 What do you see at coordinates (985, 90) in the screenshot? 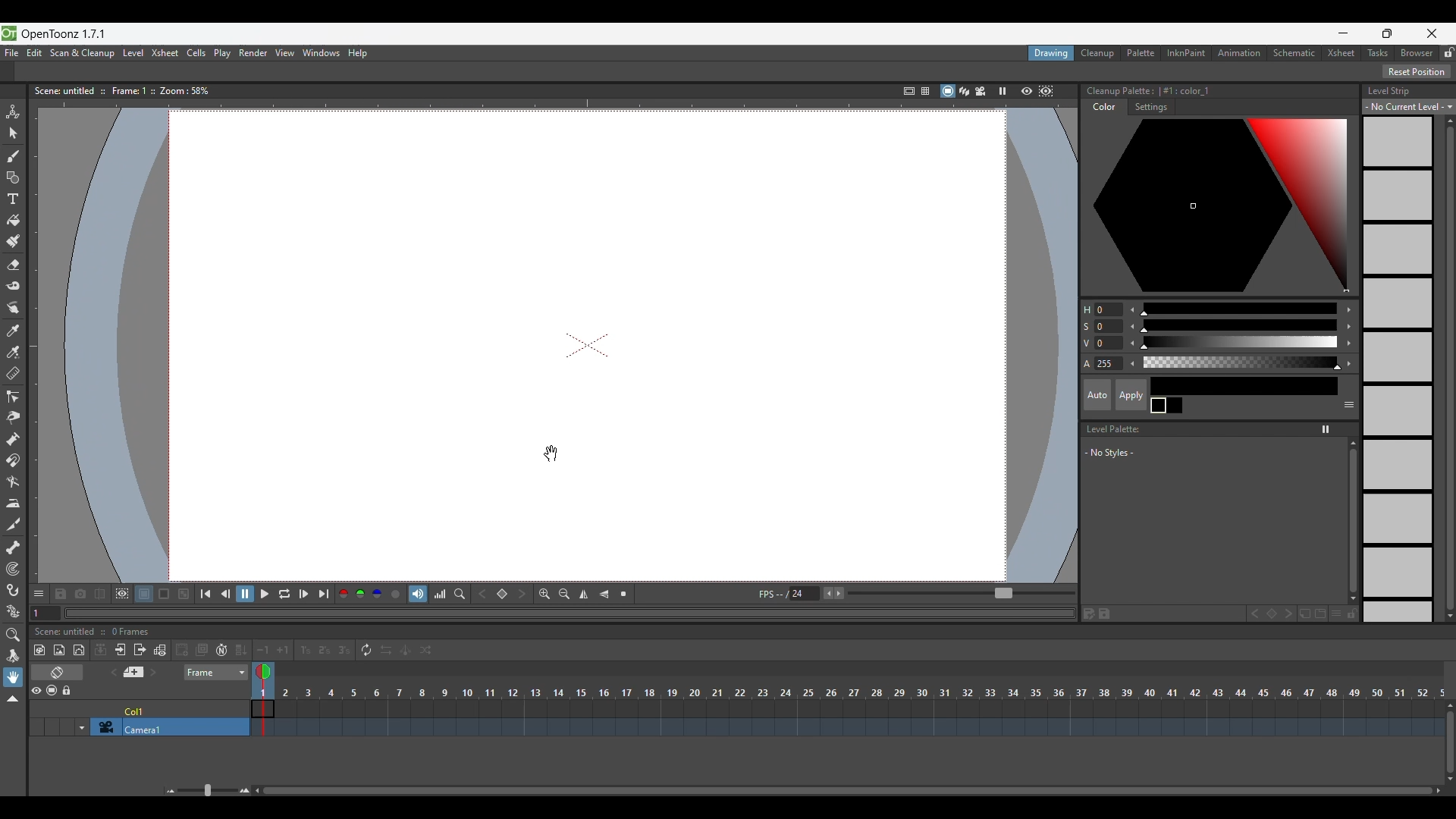
I see `Camera view` at bounding box center [985, 90].